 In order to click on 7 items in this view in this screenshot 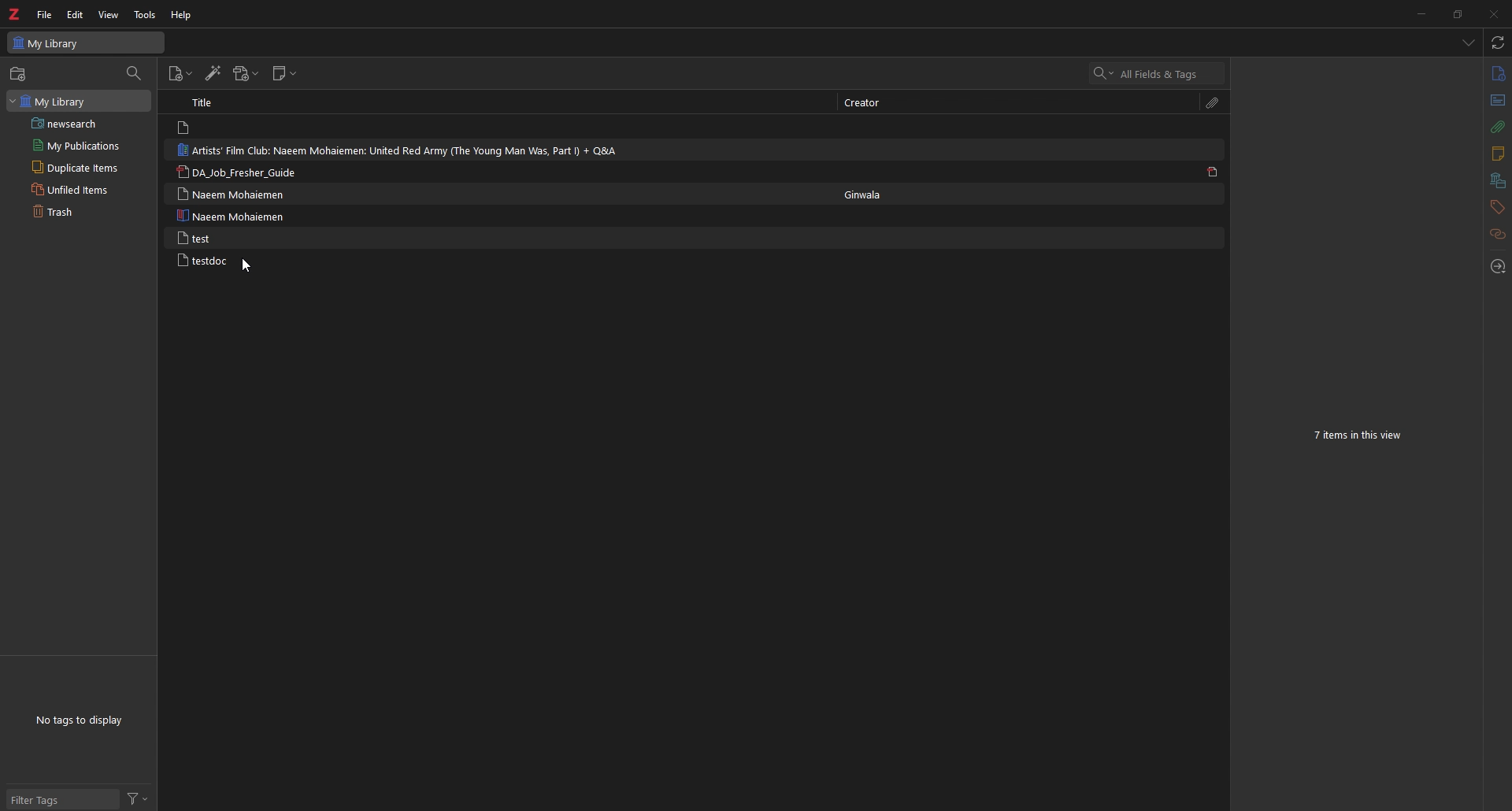, I will do `click(1356, 433)`.